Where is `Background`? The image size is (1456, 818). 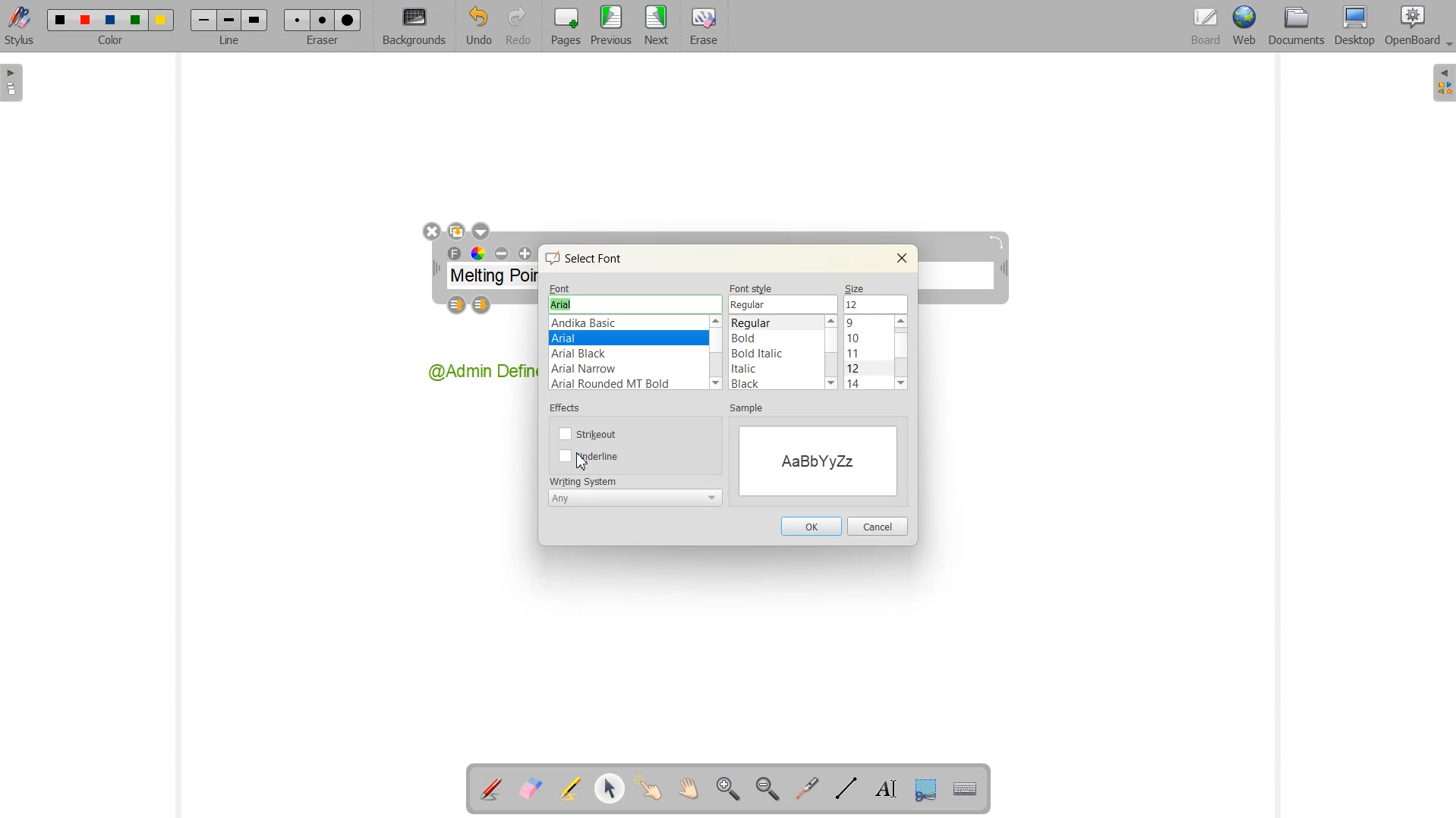 Background is located at coordinates (414, 27).